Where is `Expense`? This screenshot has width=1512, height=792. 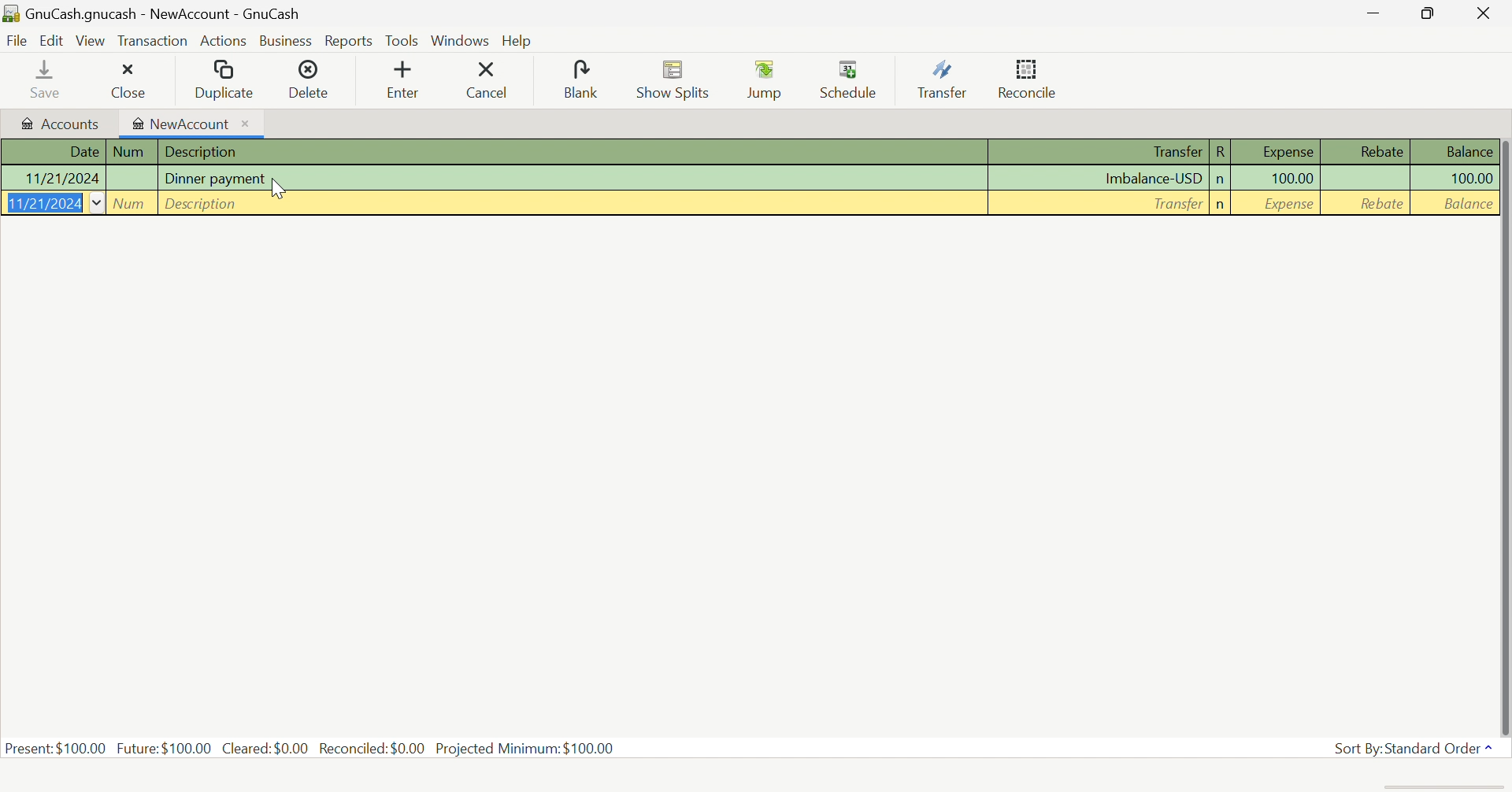
Expense is located at coordinates (1288, 203).